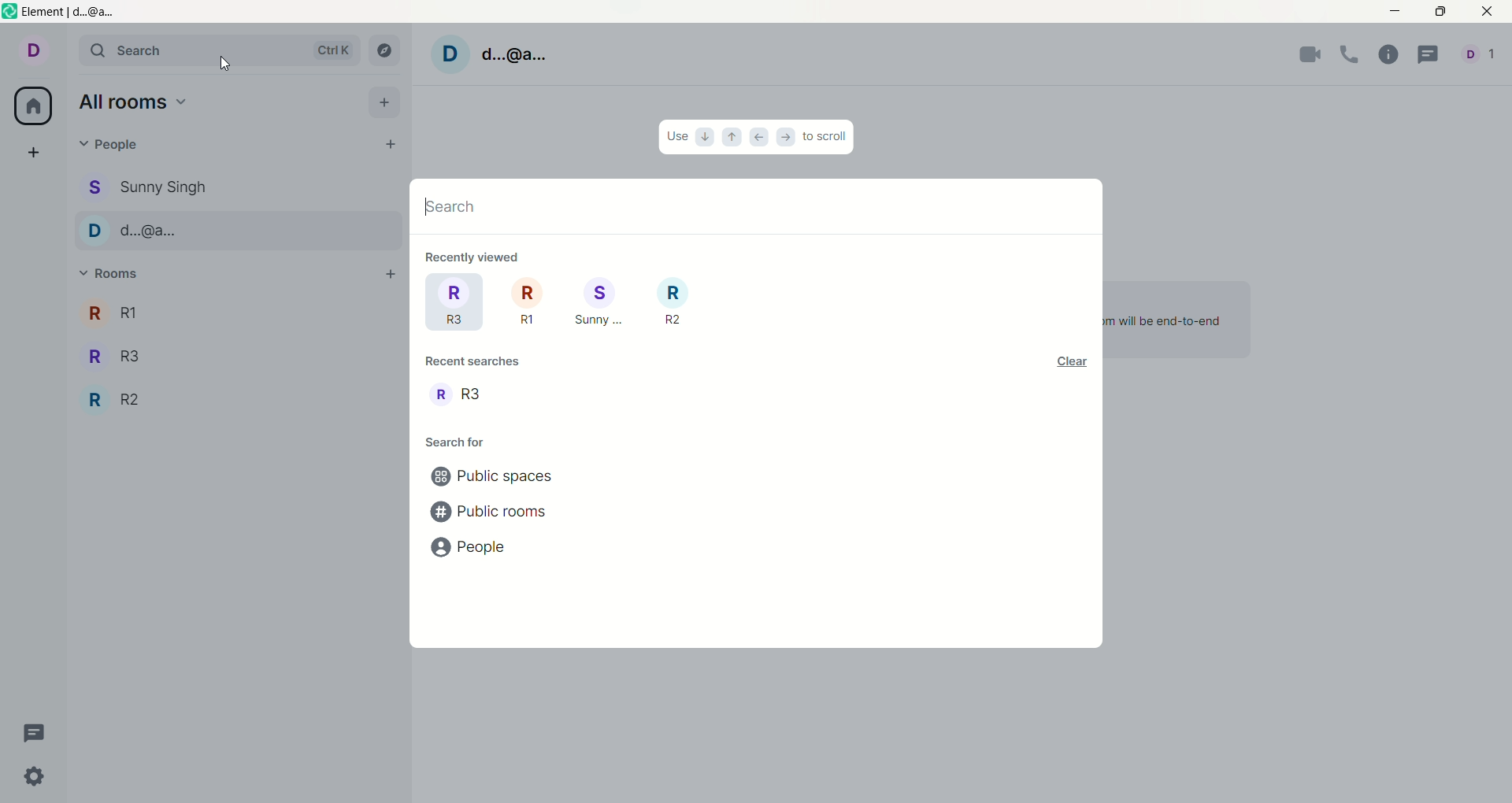 This screenshot has height=803, width=1512. I want to click on all rooms, so click(134, 102).